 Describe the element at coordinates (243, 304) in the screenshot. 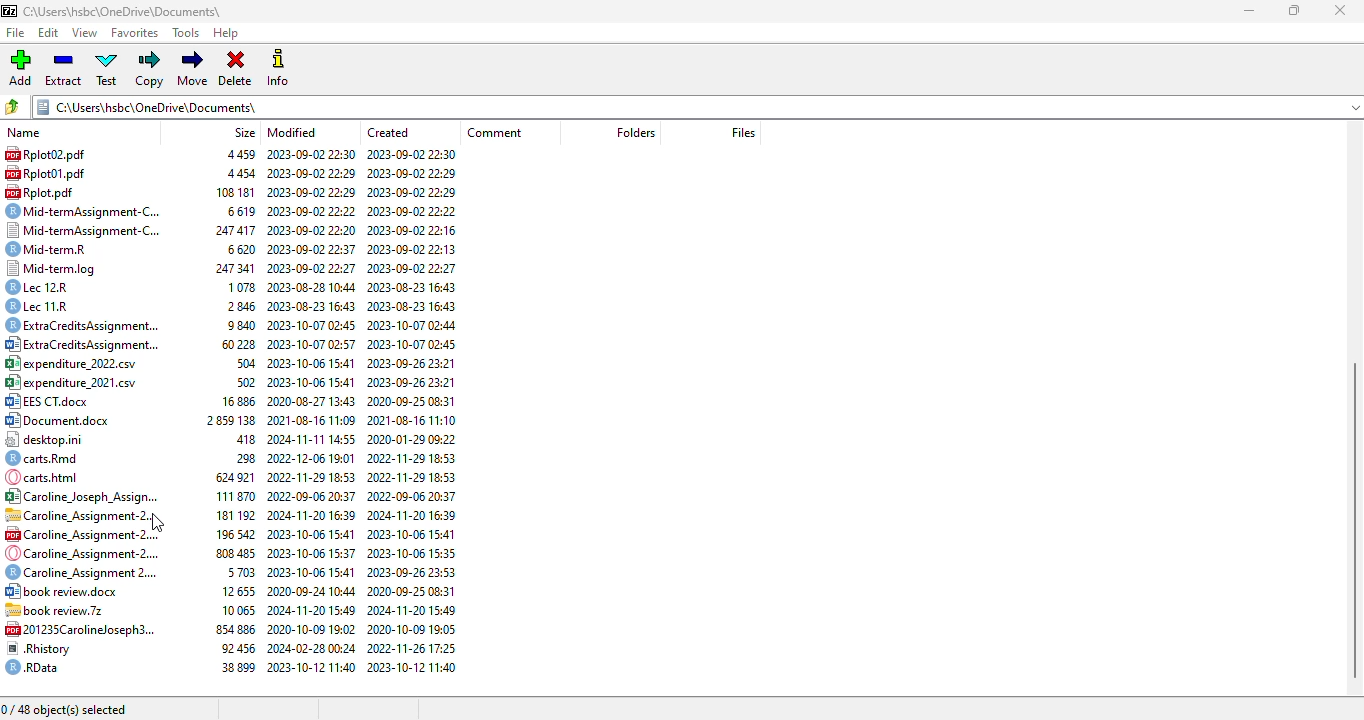

I see `2846` at that location.